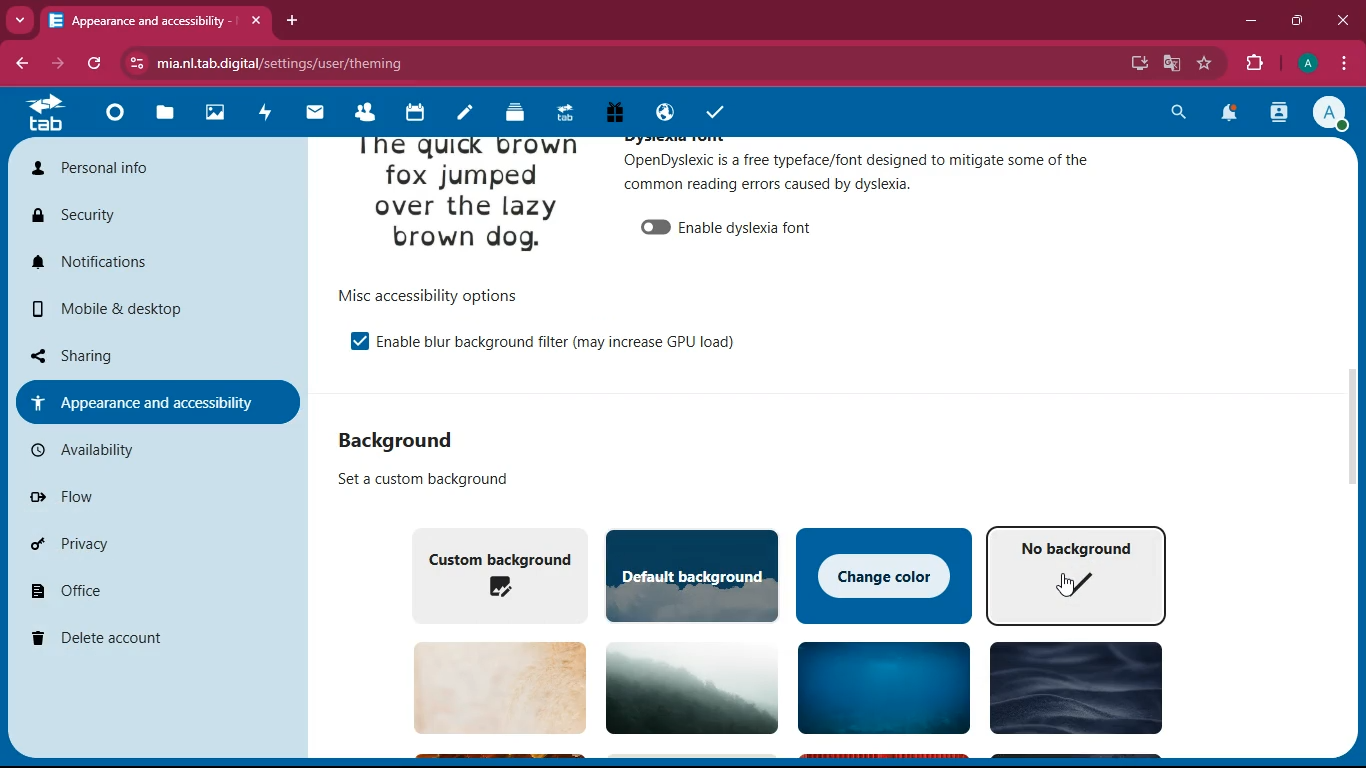 This screenshot has width=1366, height=768. Describe the element at coordinates (155, 401) in the screenshot. I see `appearance` at that location.